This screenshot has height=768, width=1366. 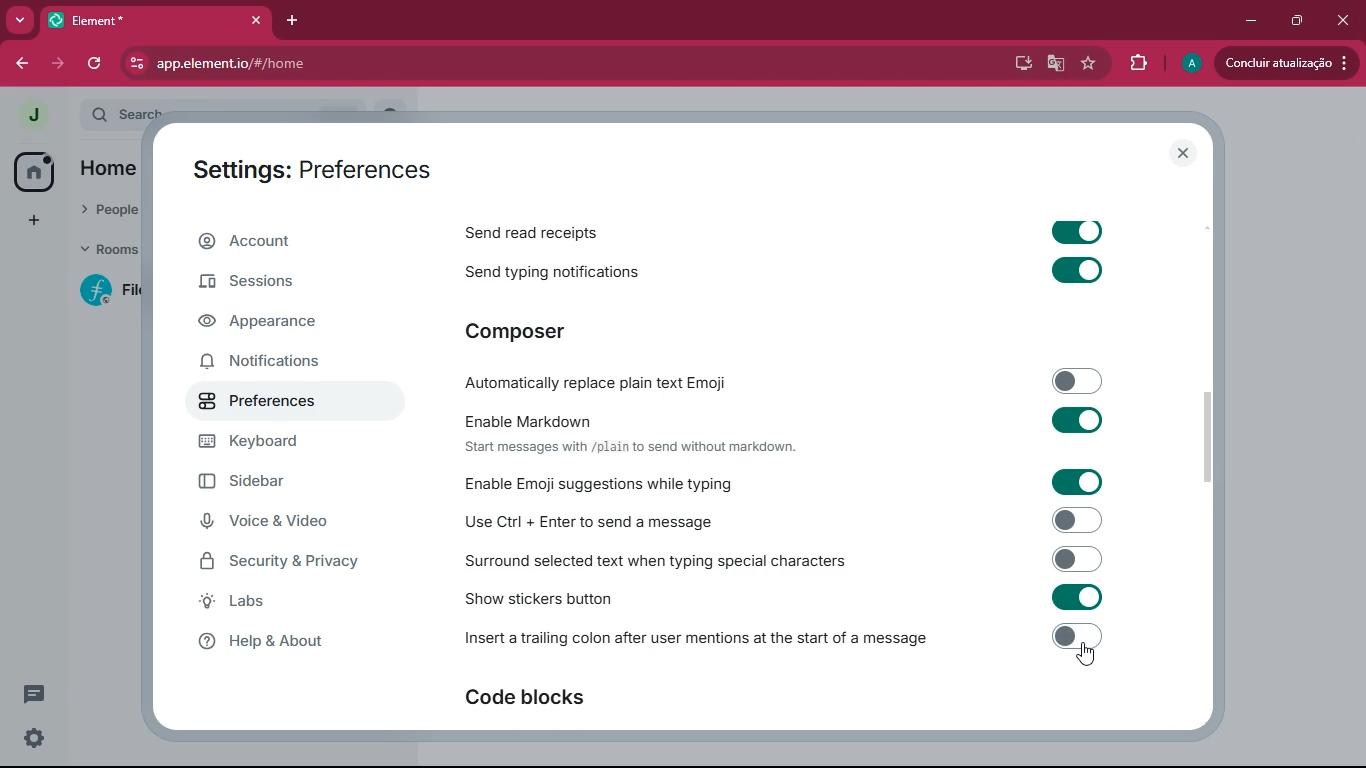 What do you see at coordinates (1206, 431) in the screenshot?
I see `scroll bar` at bounding box center [1206, 431].